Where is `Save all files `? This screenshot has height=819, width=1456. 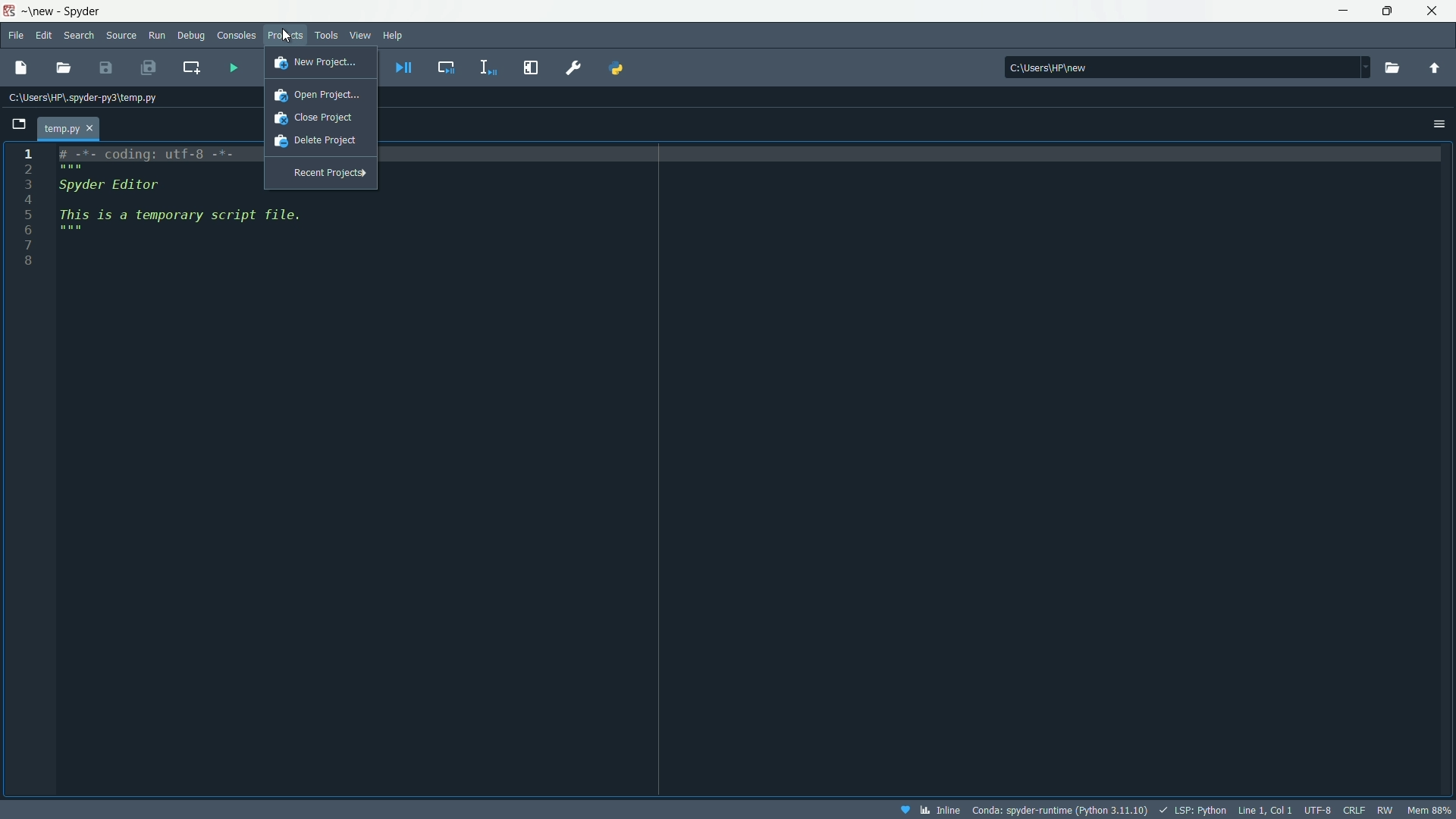
Save all files  is located at coordinates (149, 67).